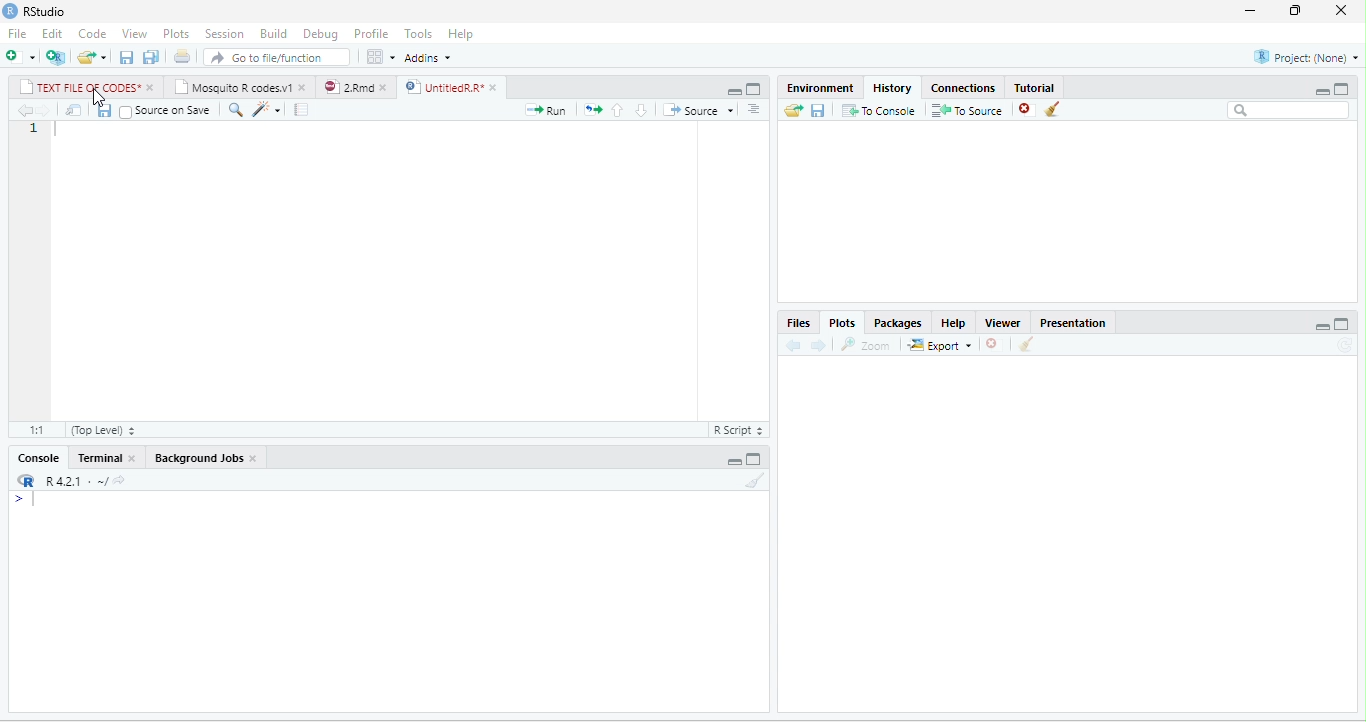  Describe the element at coordinates (35, 430) in the screenshot. I see `1:1` at that location.